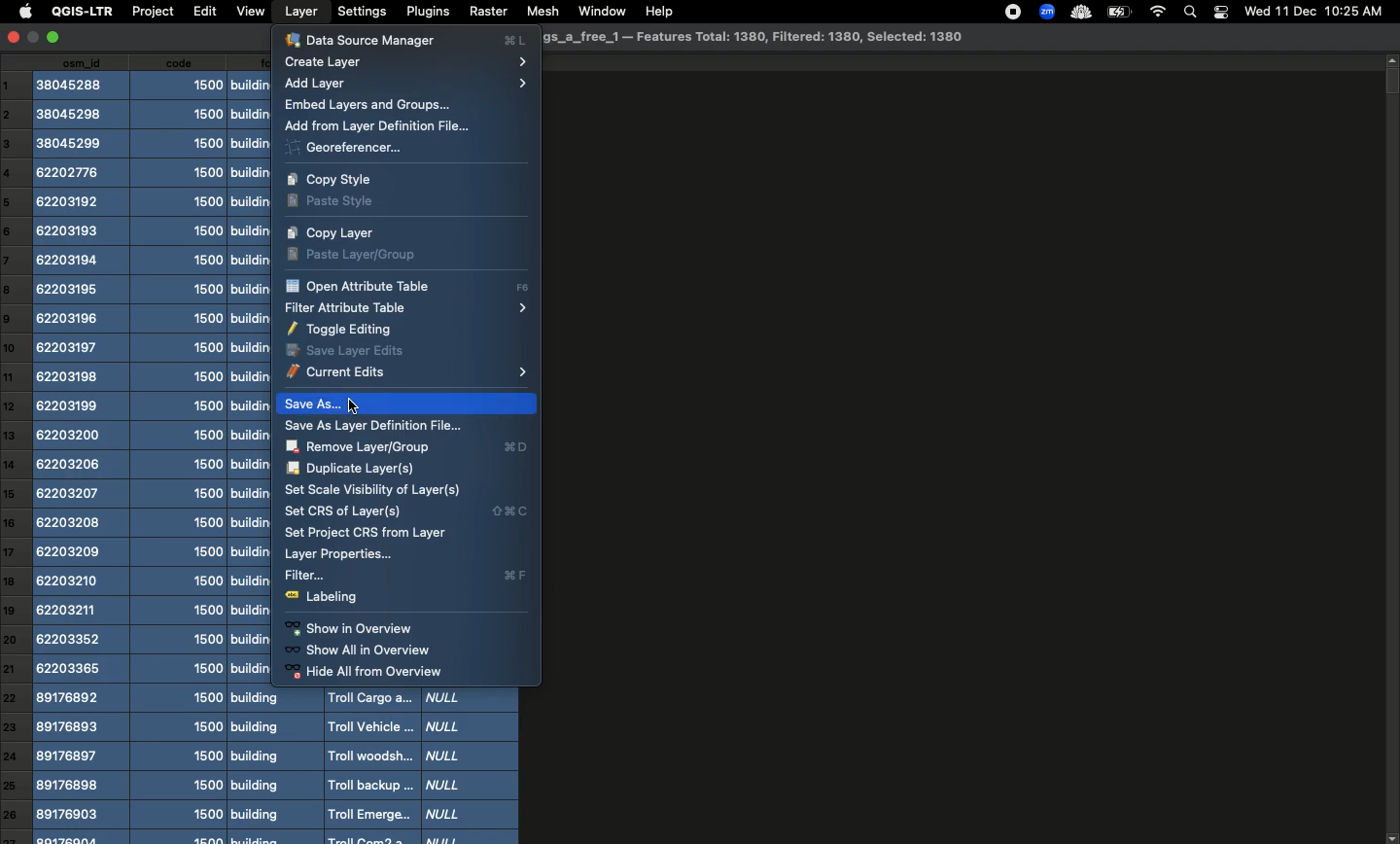  What do you see at coordinates (1045, 11) in the screenshot?
I see `zoom` at bounding box center [1045, 11].